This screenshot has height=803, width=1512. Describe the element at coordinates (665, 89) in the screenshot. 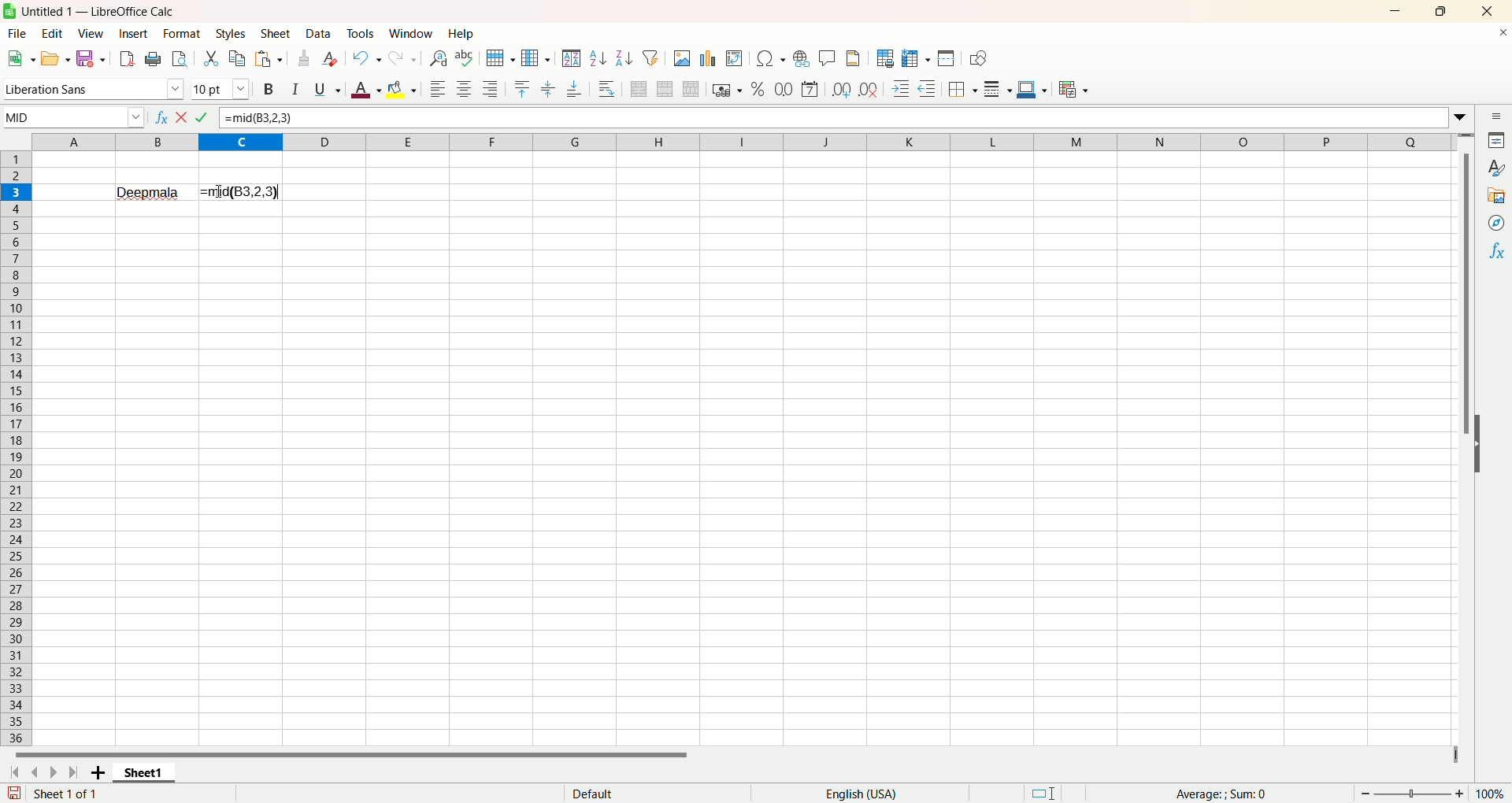

I see `Merge` at that location.